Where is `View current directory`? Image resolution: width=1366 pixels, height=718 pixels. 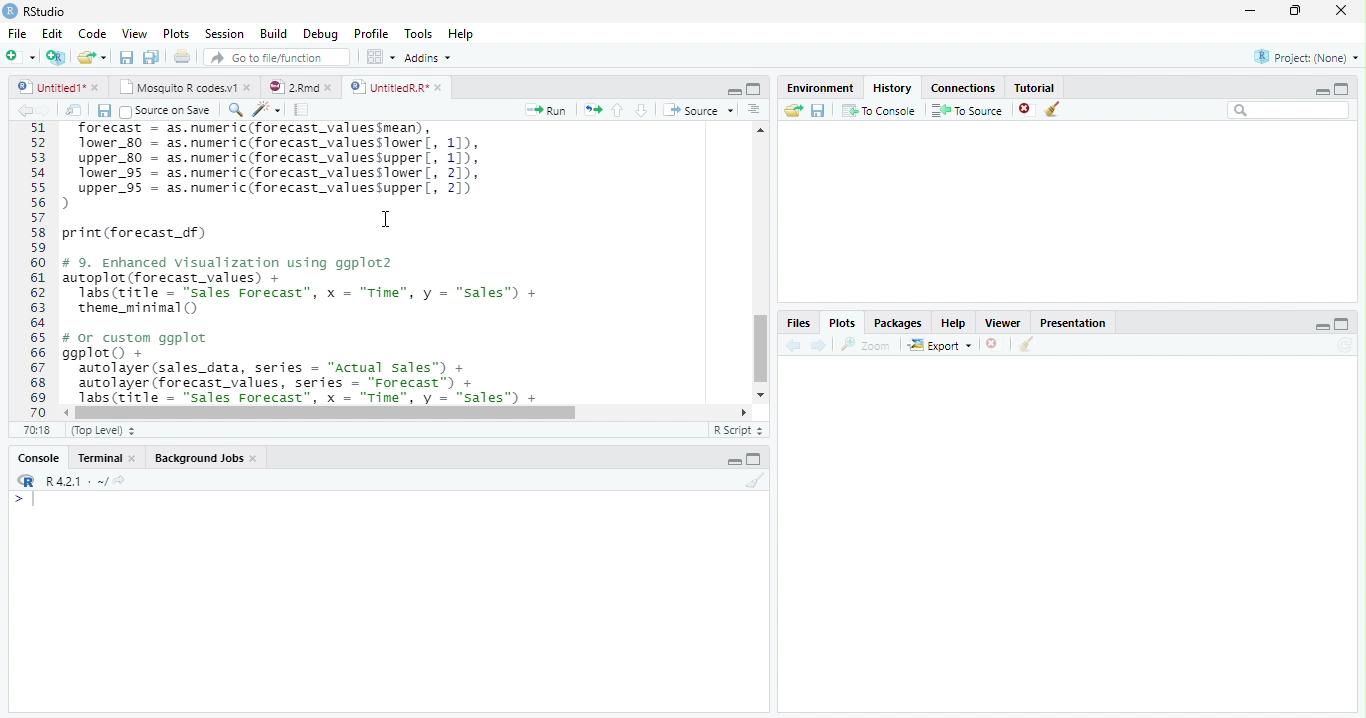 View current directory is located at coordinates (121, 481).